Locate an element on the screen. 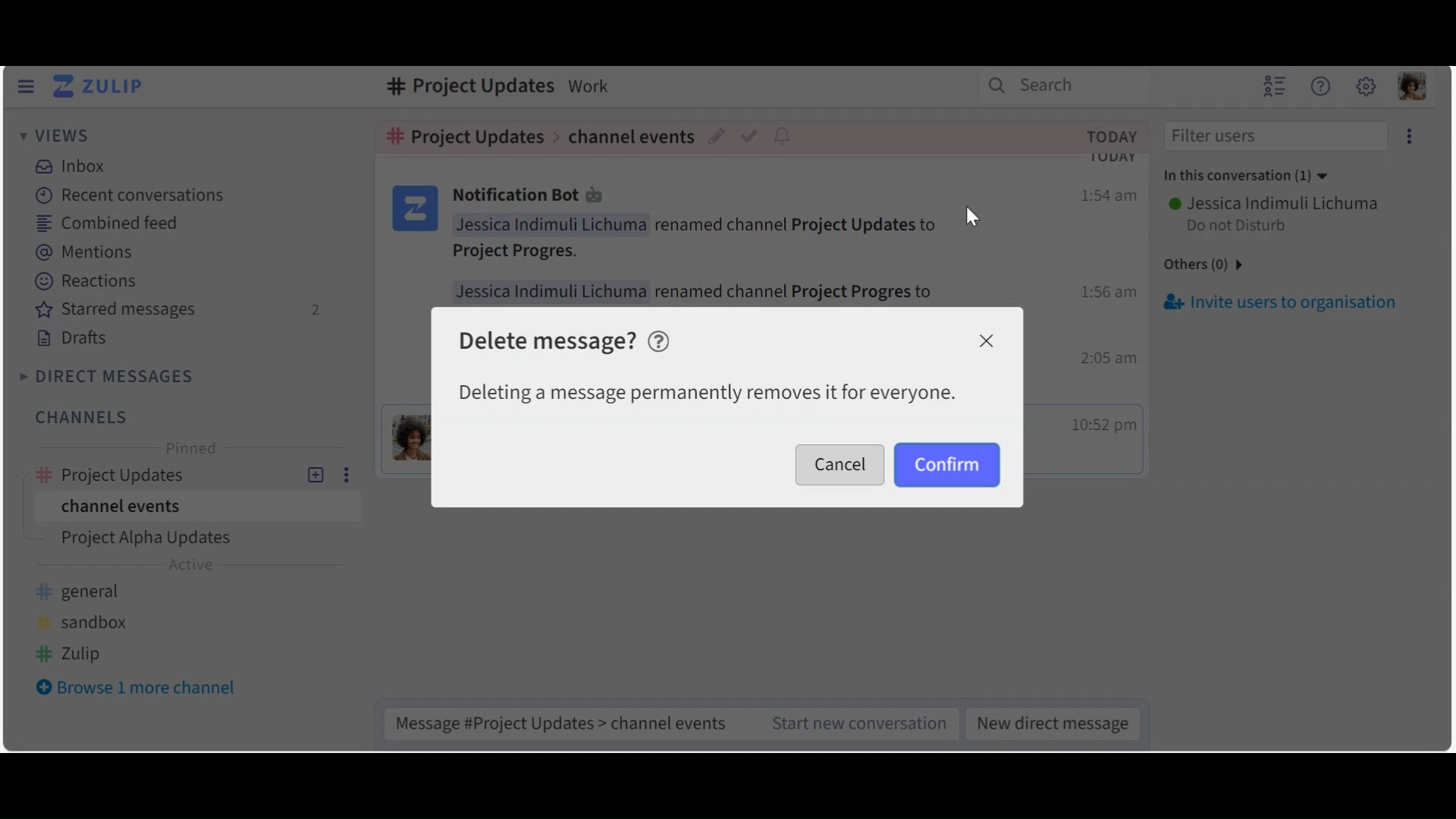  Filter users is located at coordinates (1272, 137).